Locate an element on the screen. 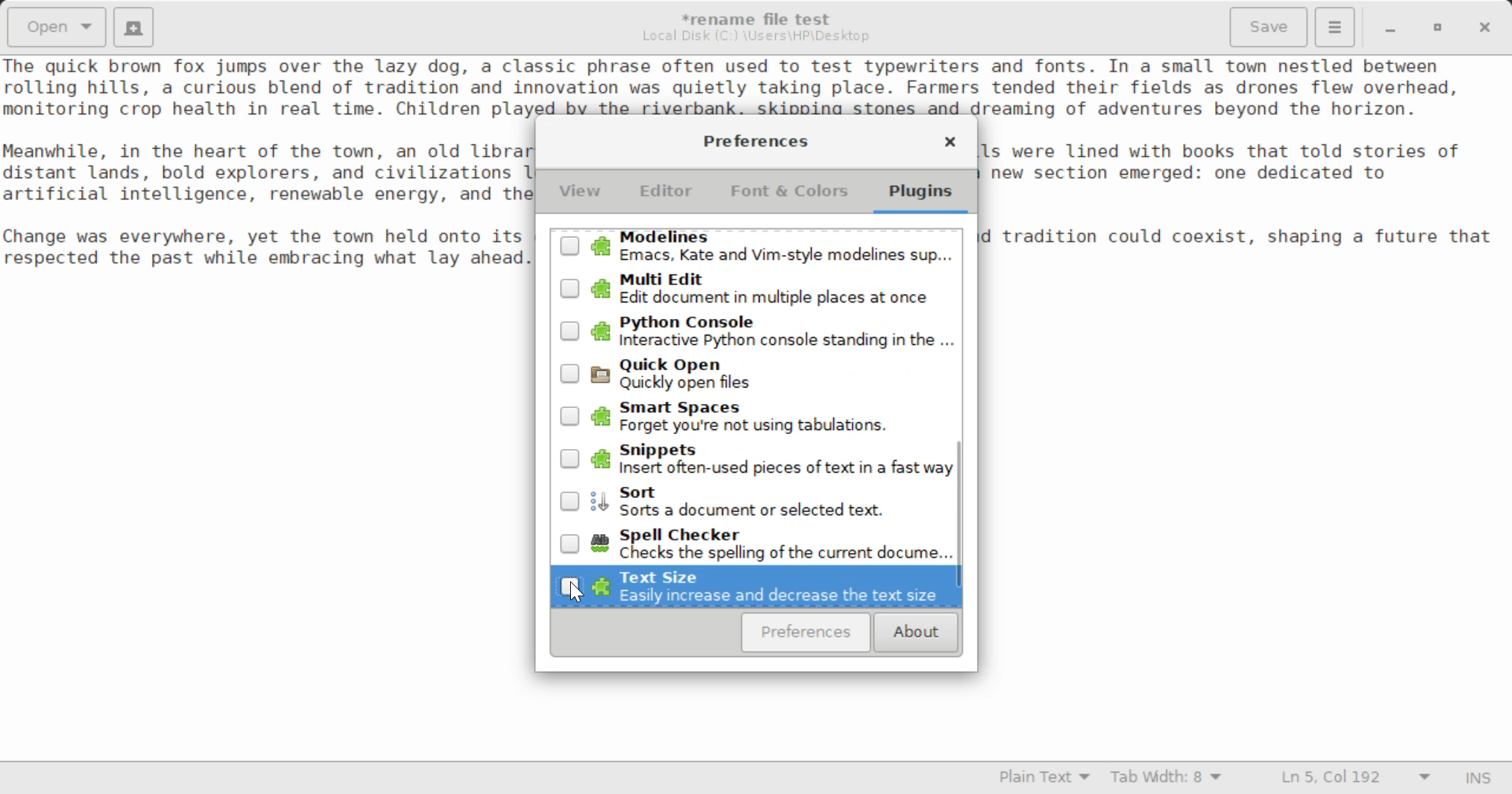  Snippets Plugin Button Unselected is located at coordinates (757, 461).